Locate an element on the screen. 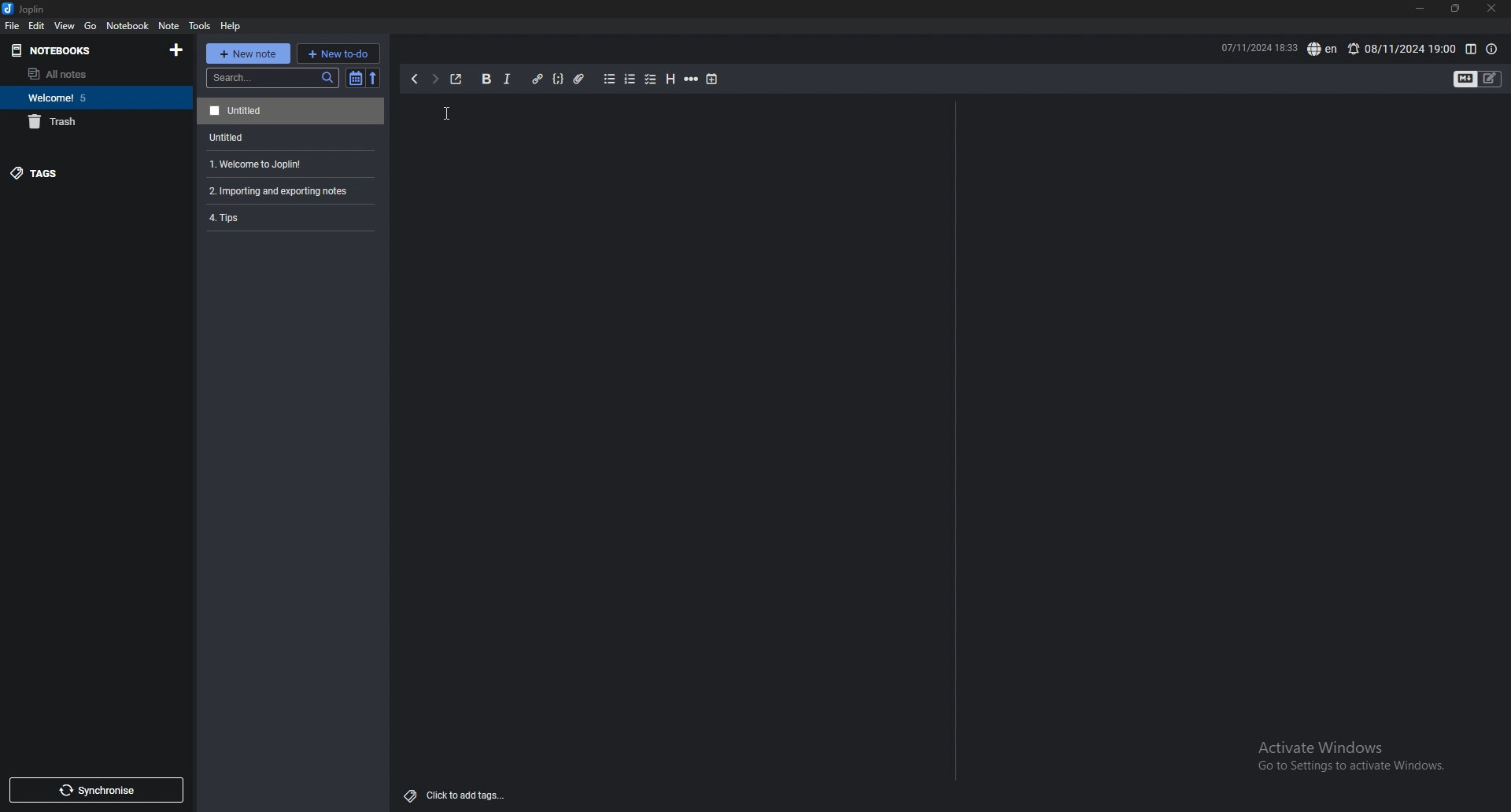 The height and width of the screenshot is (812, 1511). go is located at coordinates (91, 27).